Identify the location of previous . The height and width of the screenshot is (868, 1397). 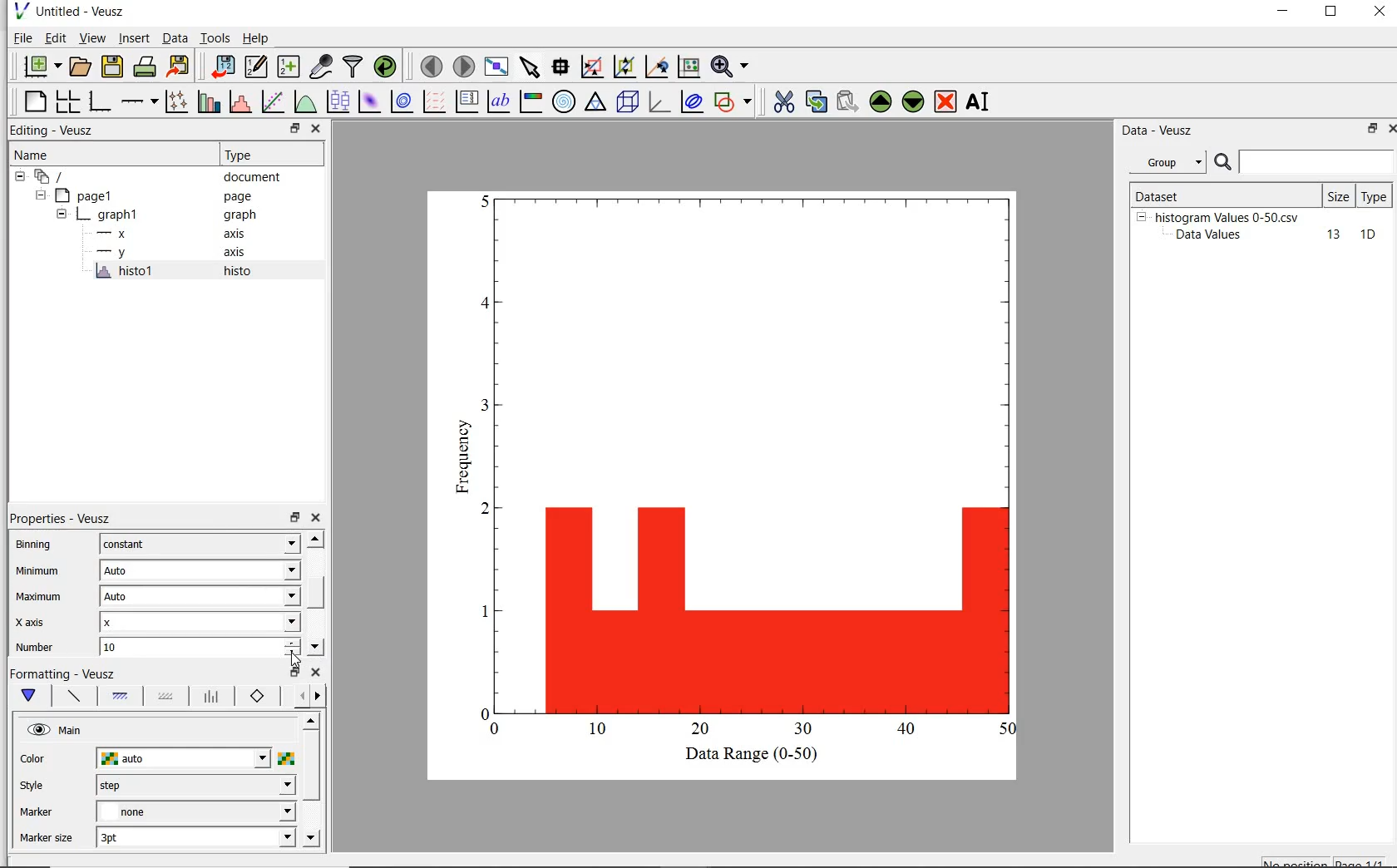
(299, 697).